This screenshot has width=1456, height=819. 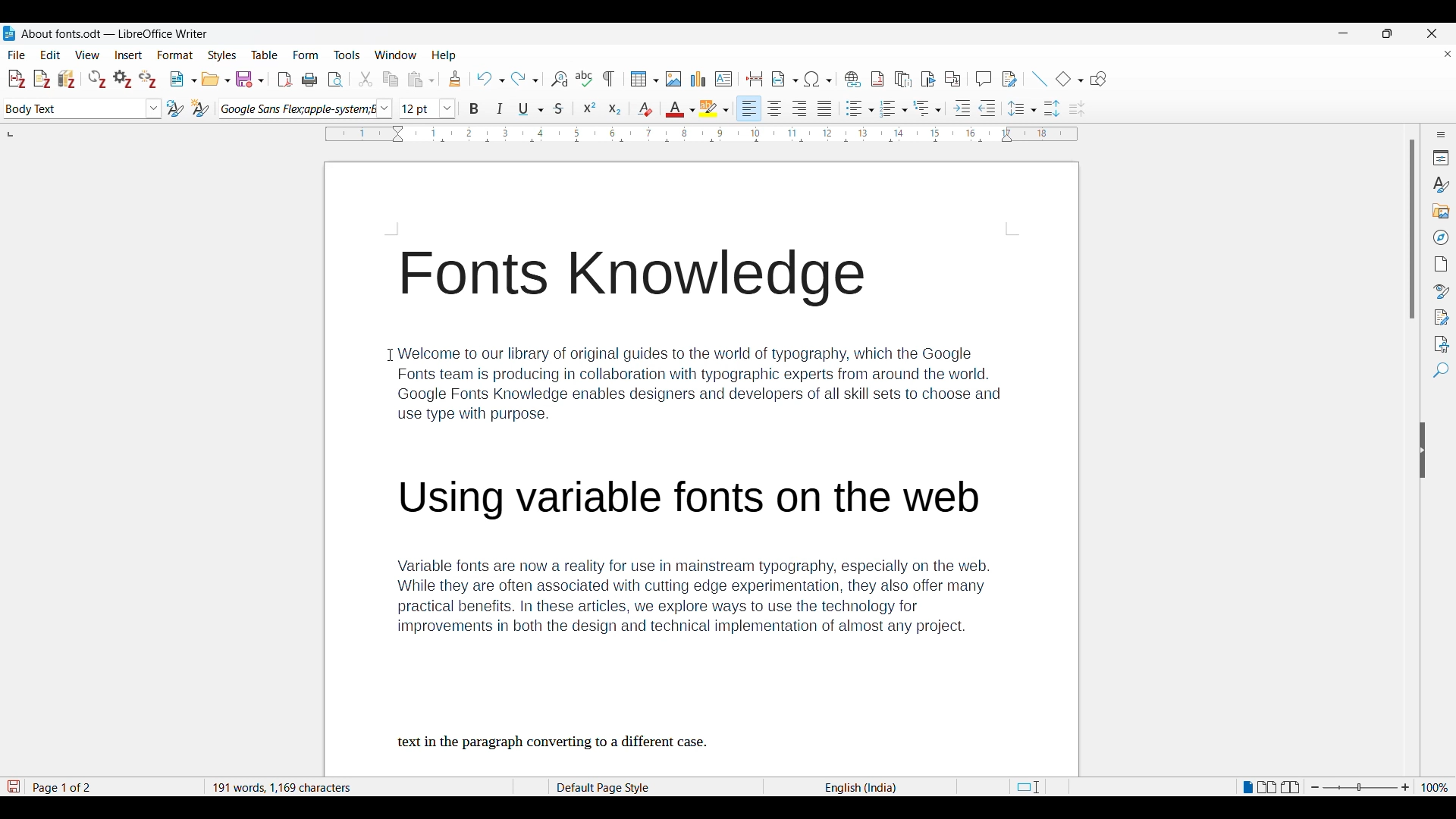 What do you see at coordinates (894, 108) in the screenshot?
I see `Ordered list` at bounding box center [894, 108].